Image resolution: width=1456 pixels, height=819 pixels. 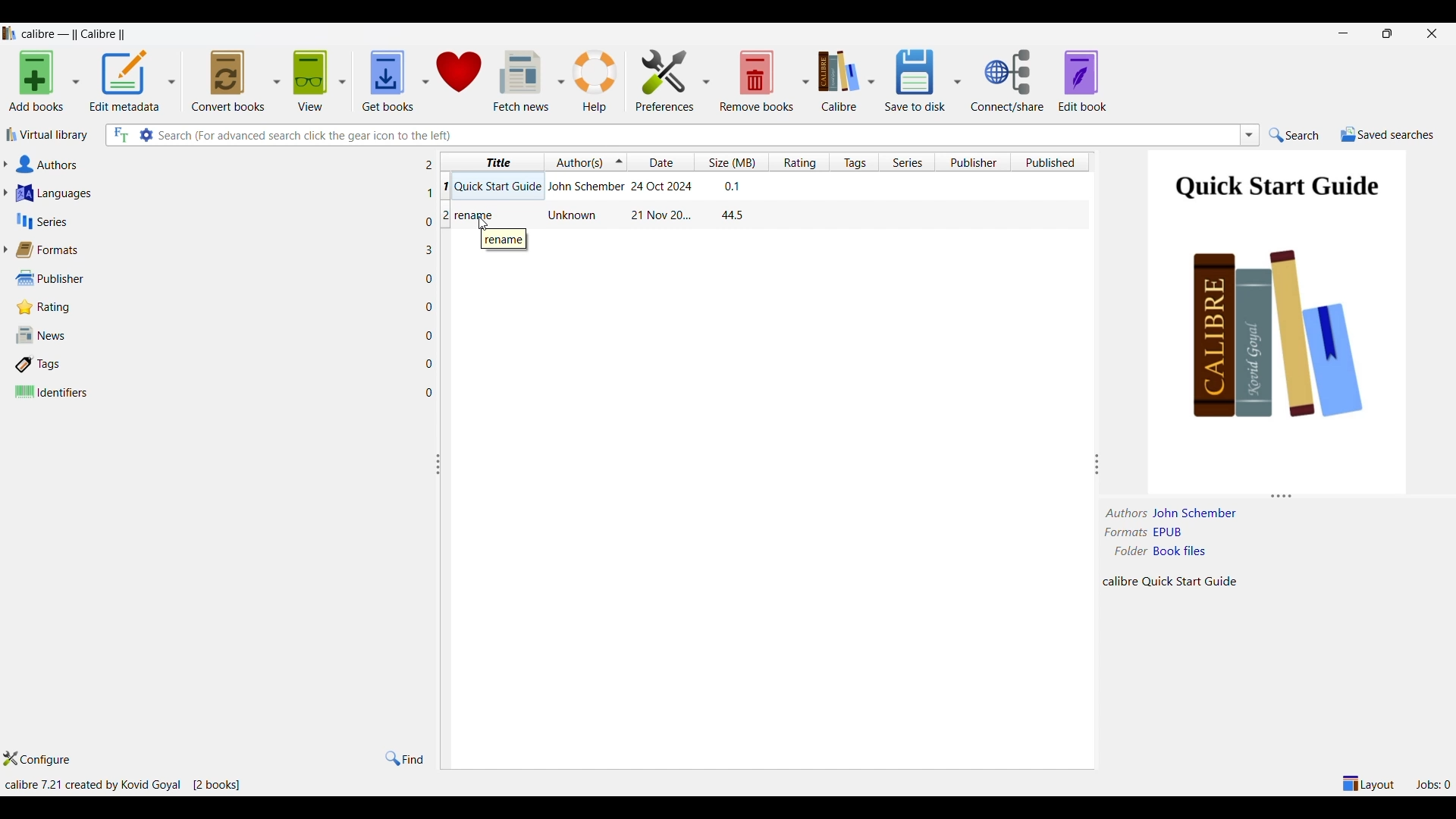 What do you see at coordinates (596, 81) in the screenshot?
I see `Help` at bounding box center [596, 81].